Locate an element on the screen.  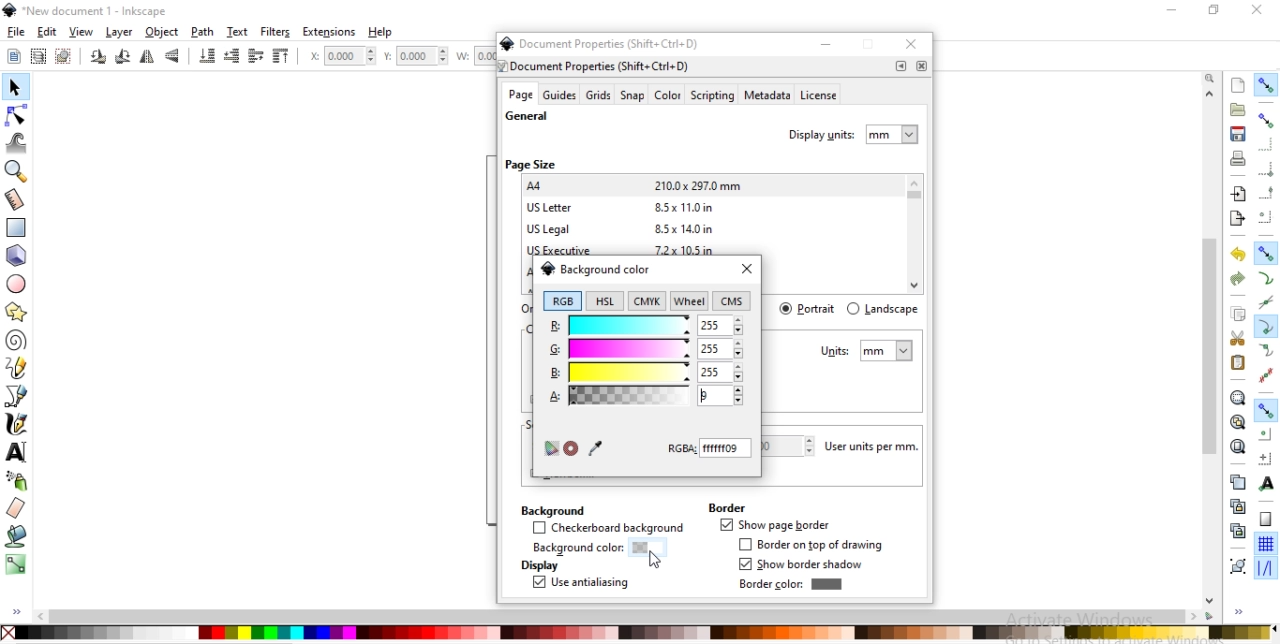
help is located at coordinates (382, 32).